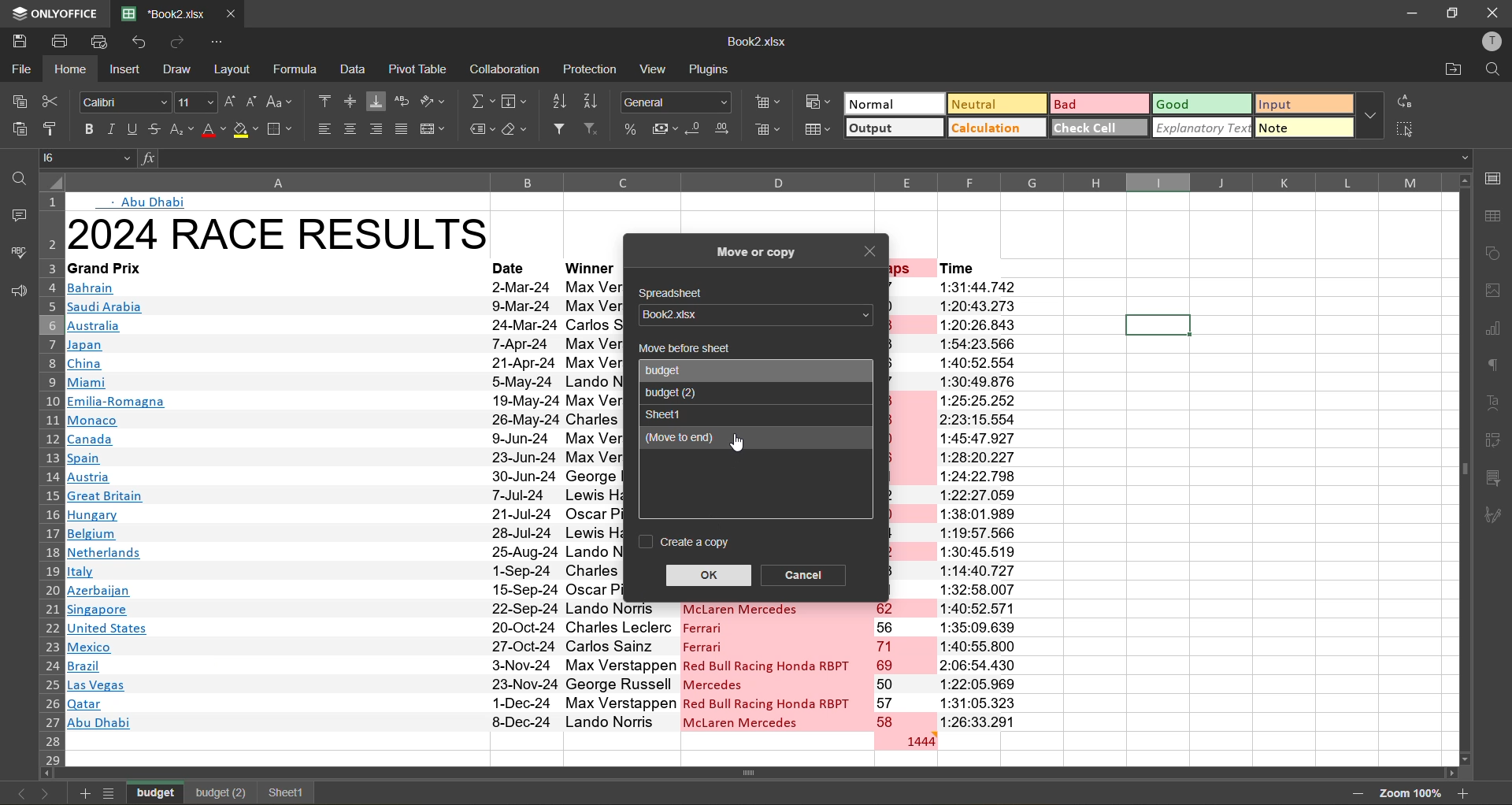 Image resolution: width=1512 pixels, height=805 pixels. I want to click on percent, so click(632, 128).